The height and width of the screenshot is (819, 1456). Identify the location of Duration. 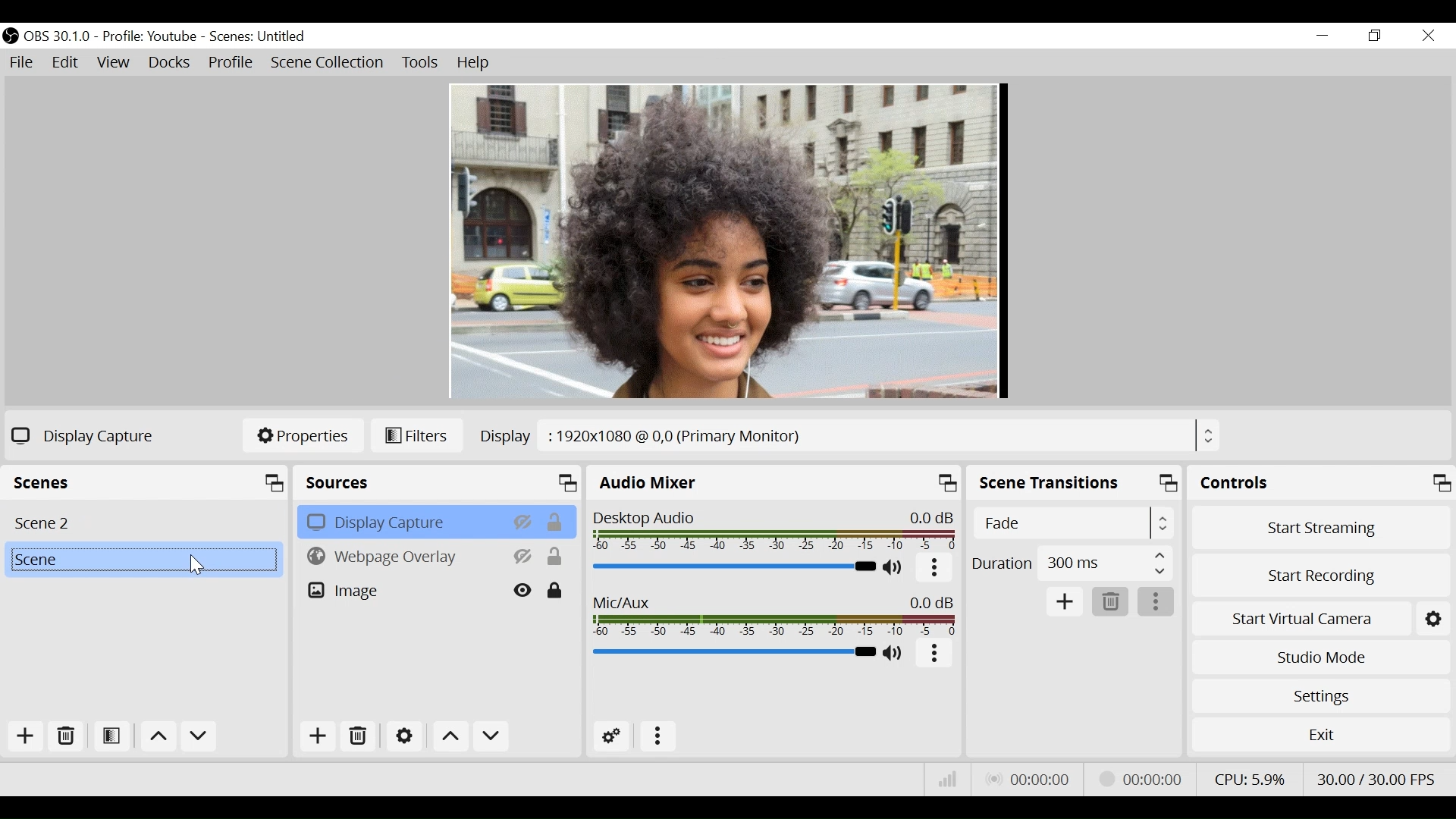
(1073, 563).